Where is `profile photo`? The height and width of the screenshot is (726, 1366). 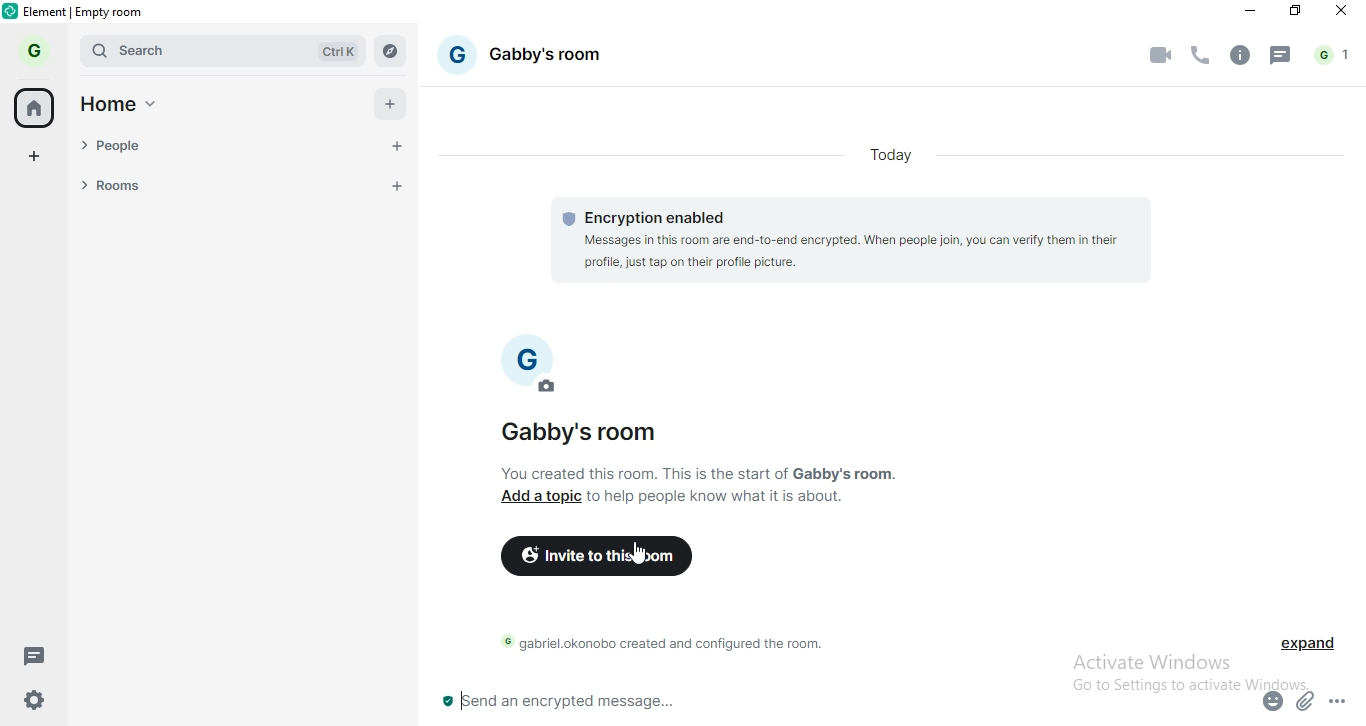 profile photo is located at coordinates (529, 364).